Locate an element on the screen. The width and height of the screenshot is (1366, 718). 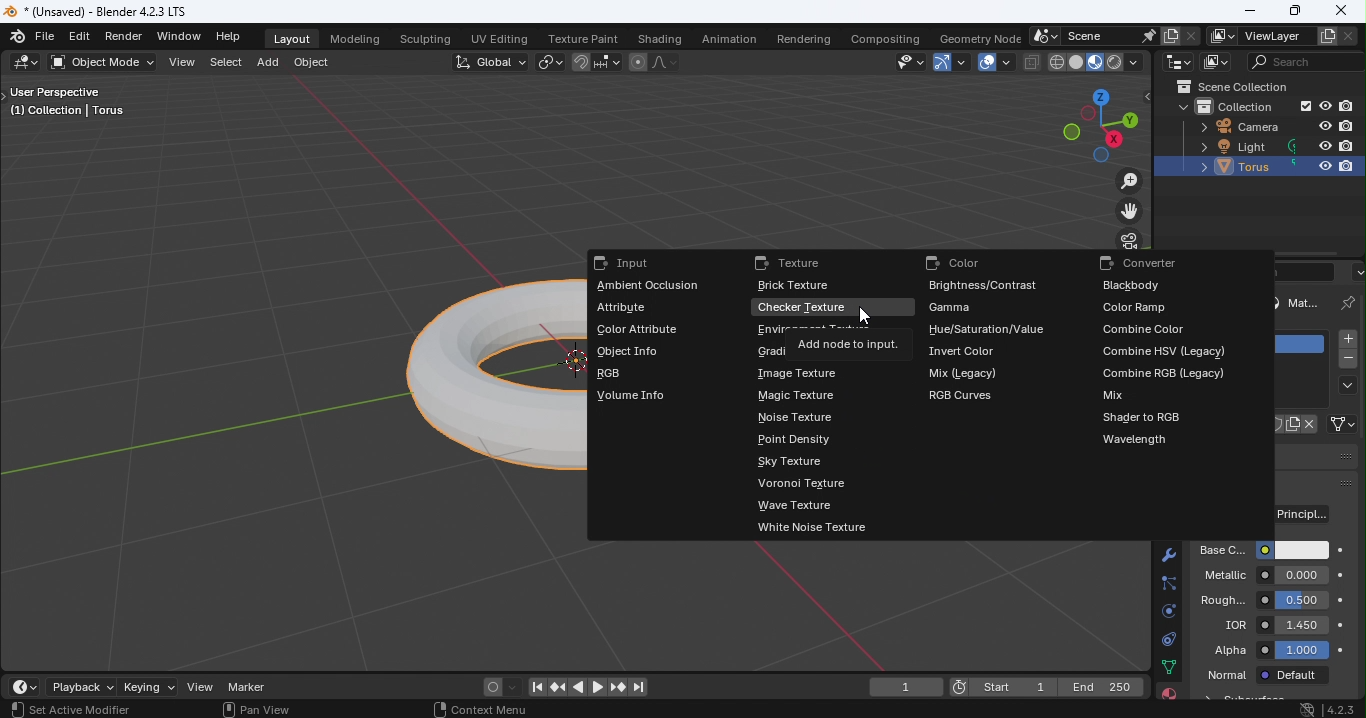
Blender logo is located at coordinates (16, 36).